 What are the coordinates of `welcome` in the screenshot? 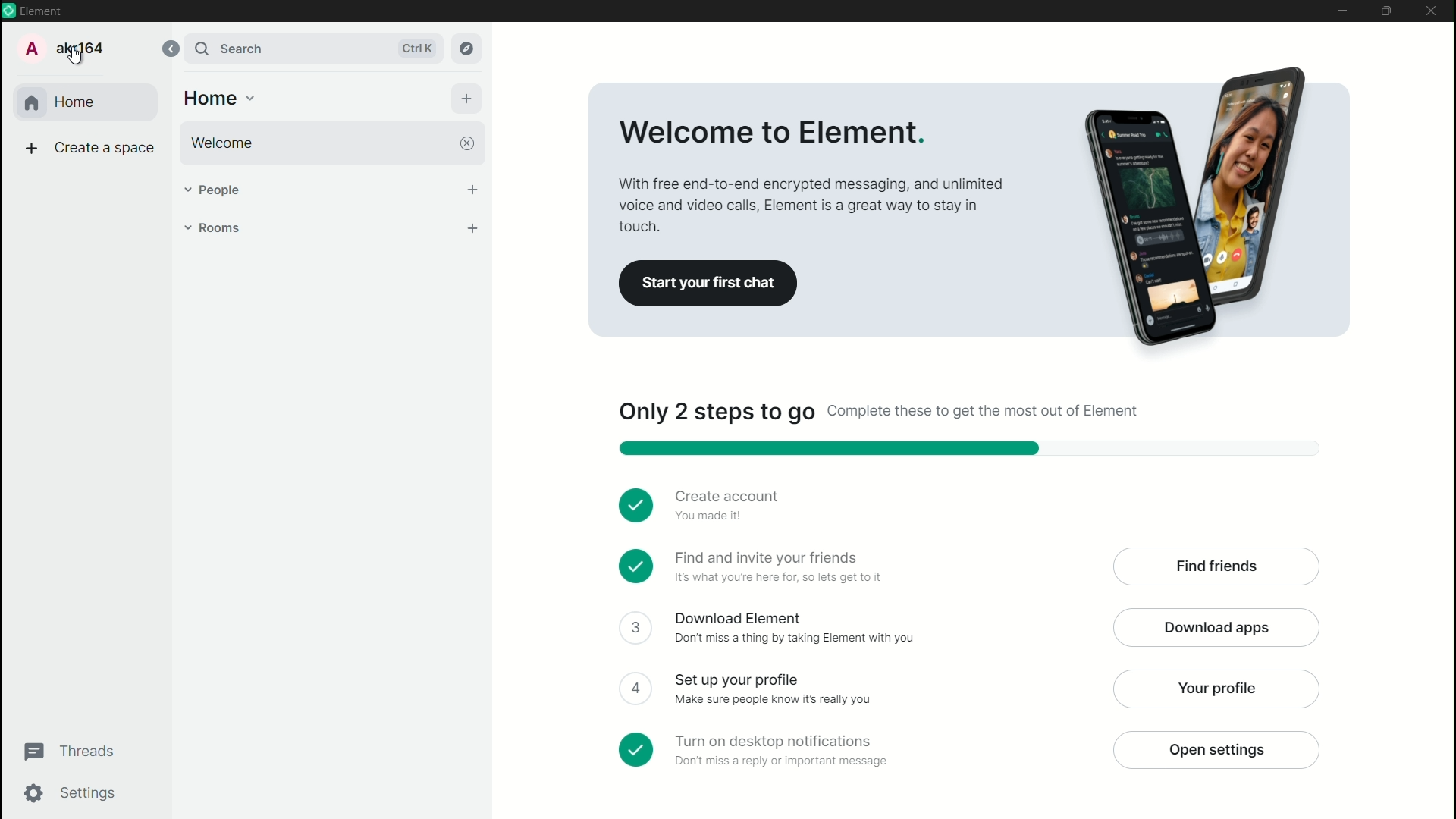 It's located at (310, 143).